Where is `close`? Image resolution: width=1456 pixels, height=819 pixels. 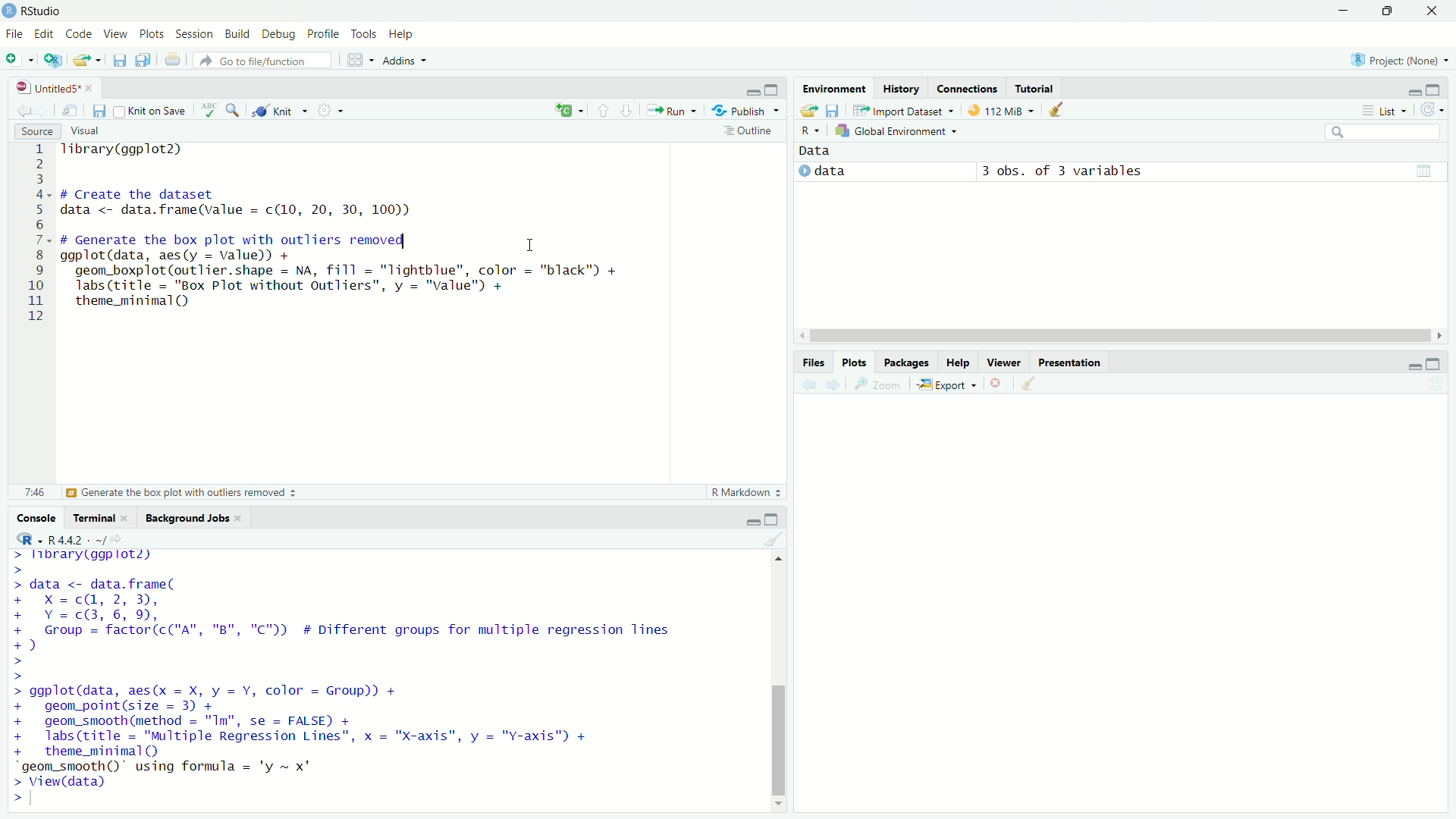 close is located at coordinates (996, 383).